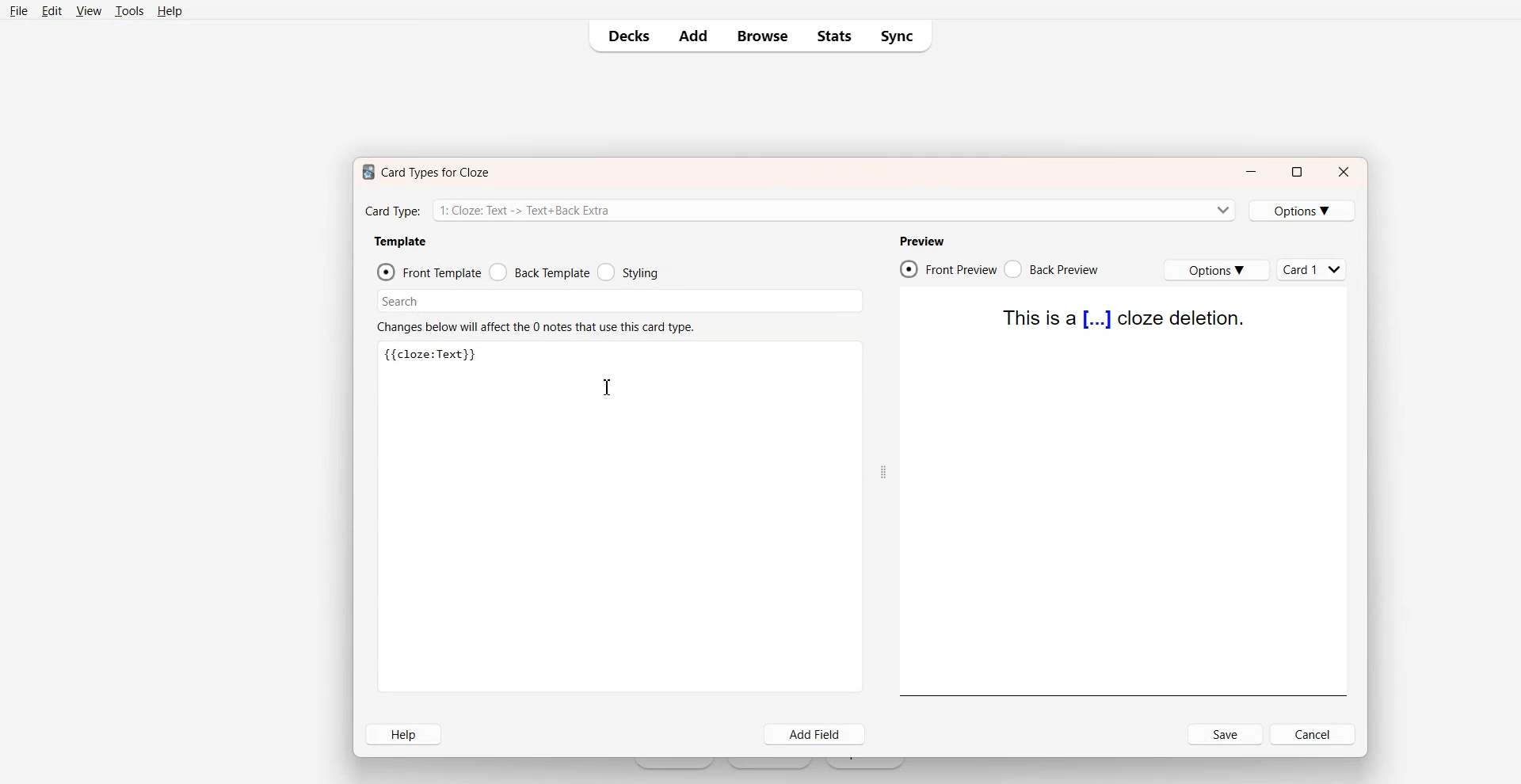  What do you see at coordinates (799, 209) in the screenshot?
I see `Card Type` at bounding box center [799, 209].